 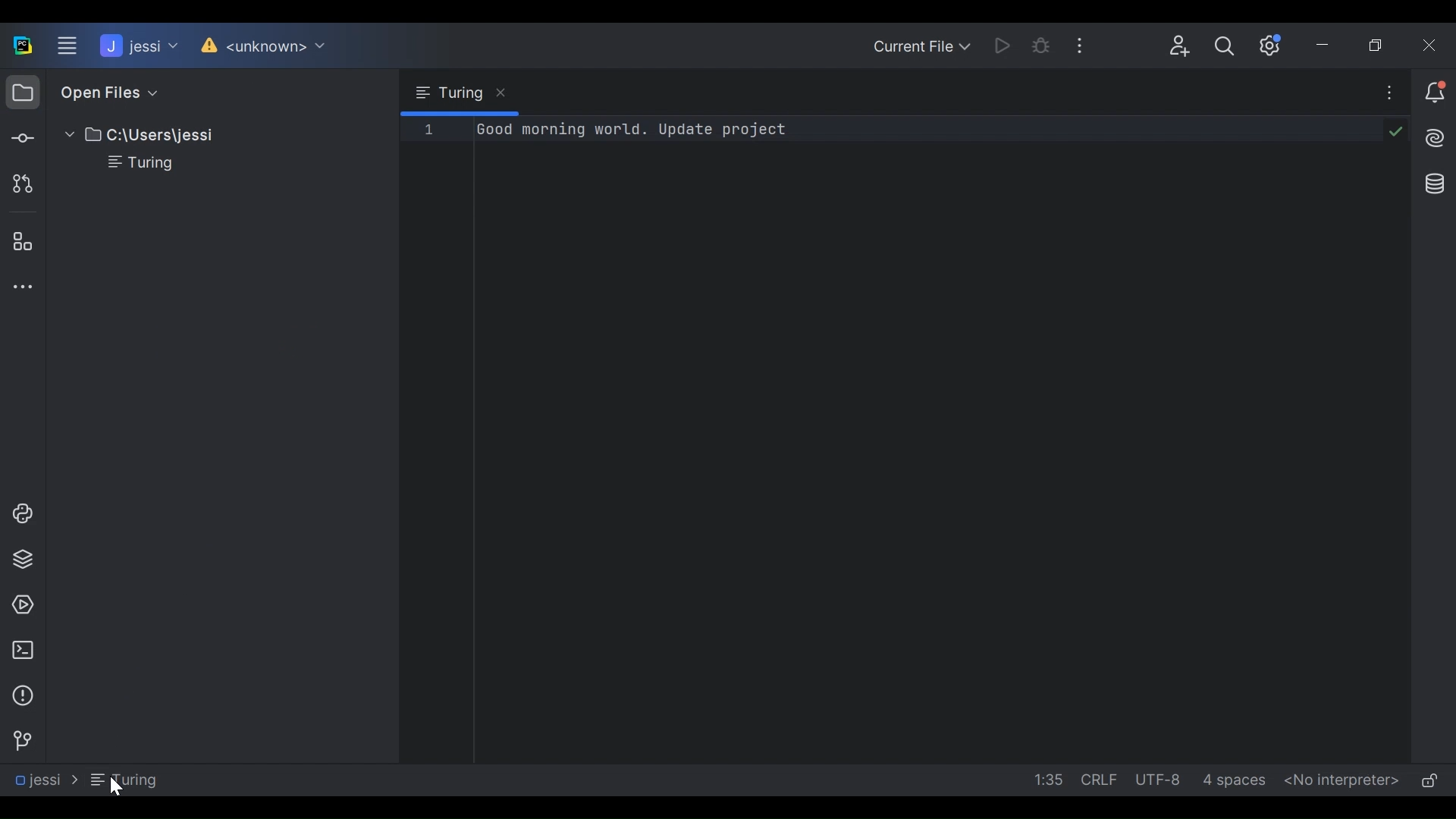 What do you see at coordinates (67, 46) in the screenshot?
I see `Main Menu` at bounding box center [67, 46].